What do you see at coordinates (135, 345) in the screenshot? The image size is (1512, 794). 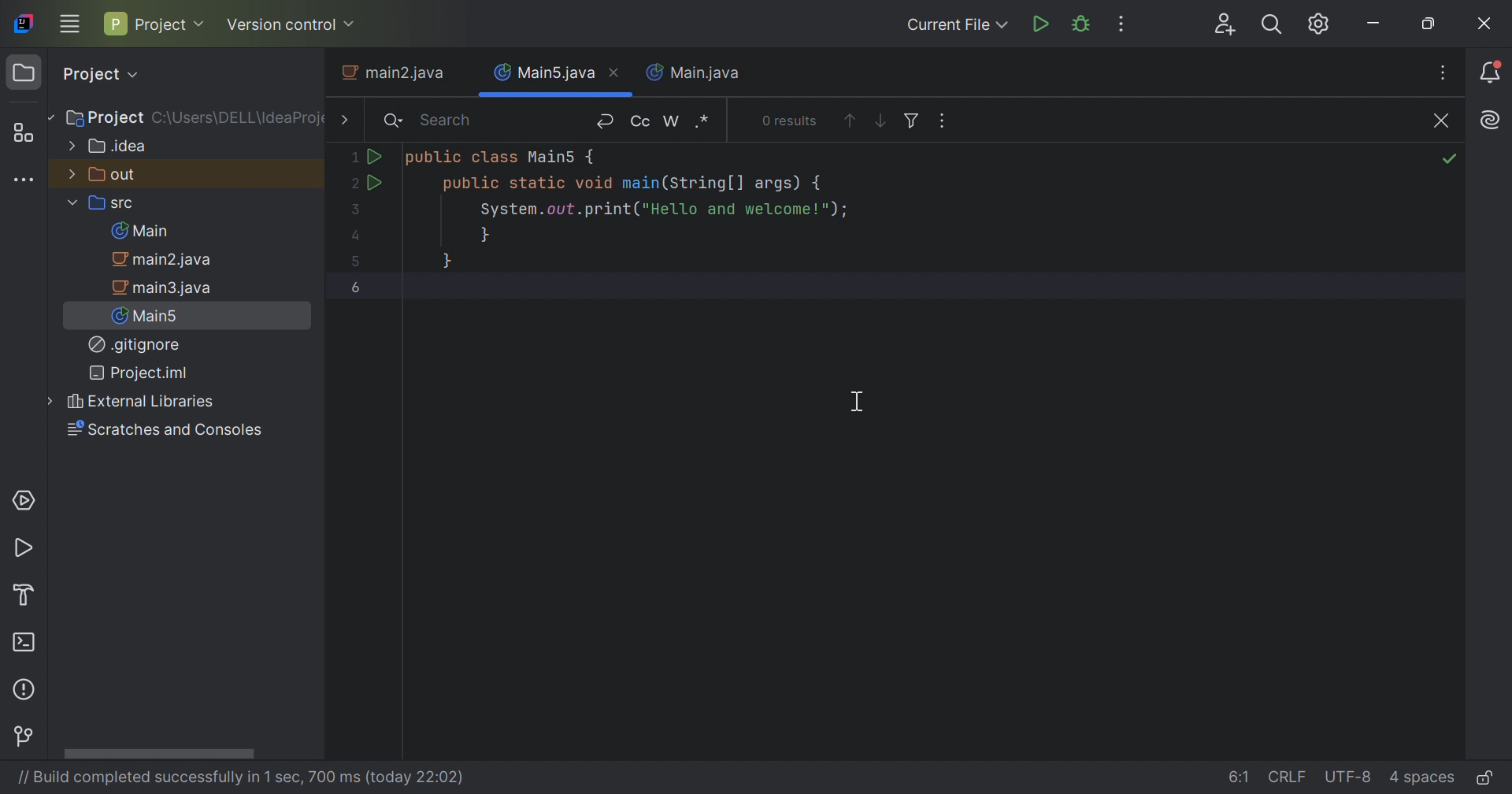 I see `.gitignore` at bounding box center [135, 345].